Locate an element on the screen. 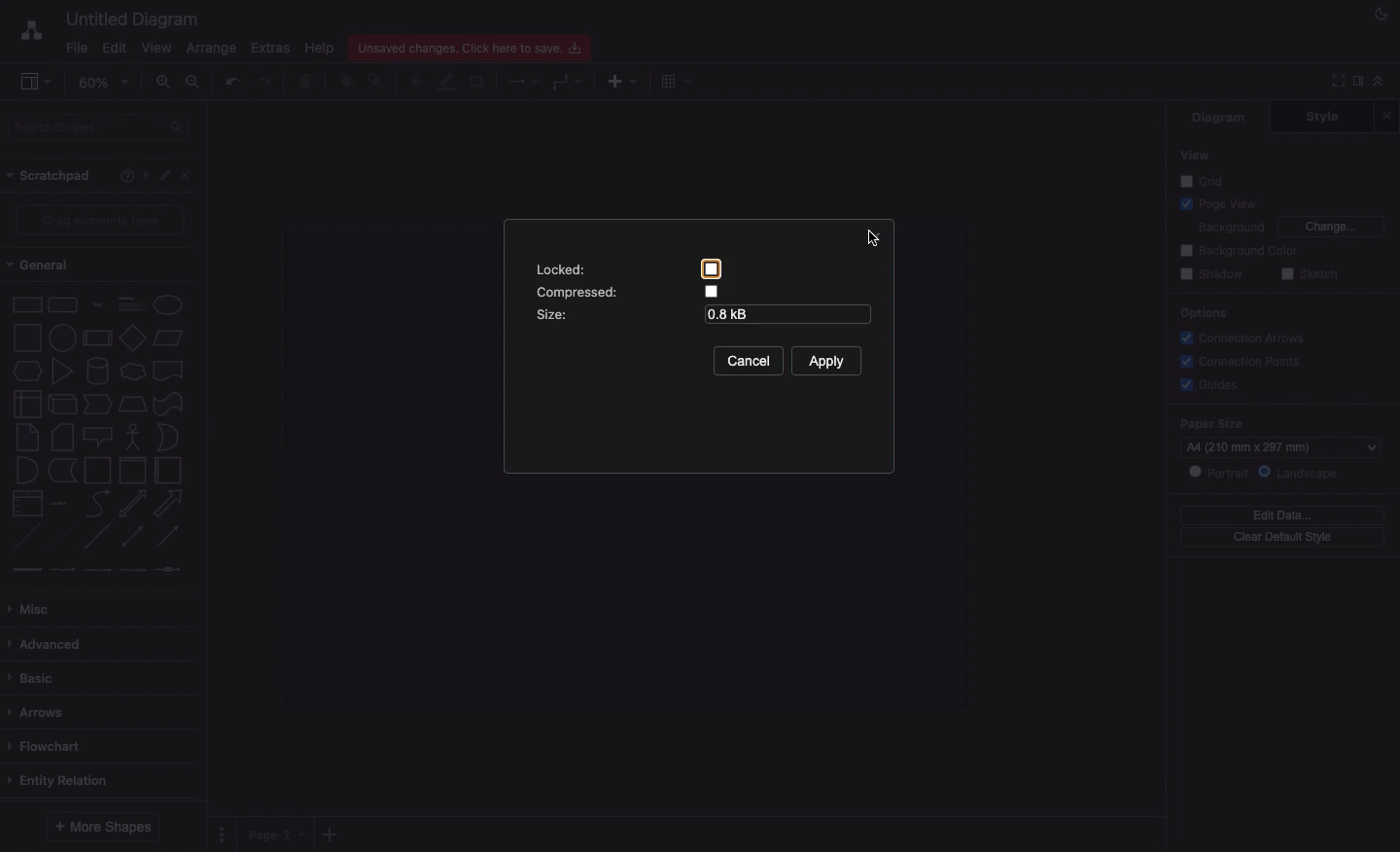  Close is located at coordinates (1386, 116).